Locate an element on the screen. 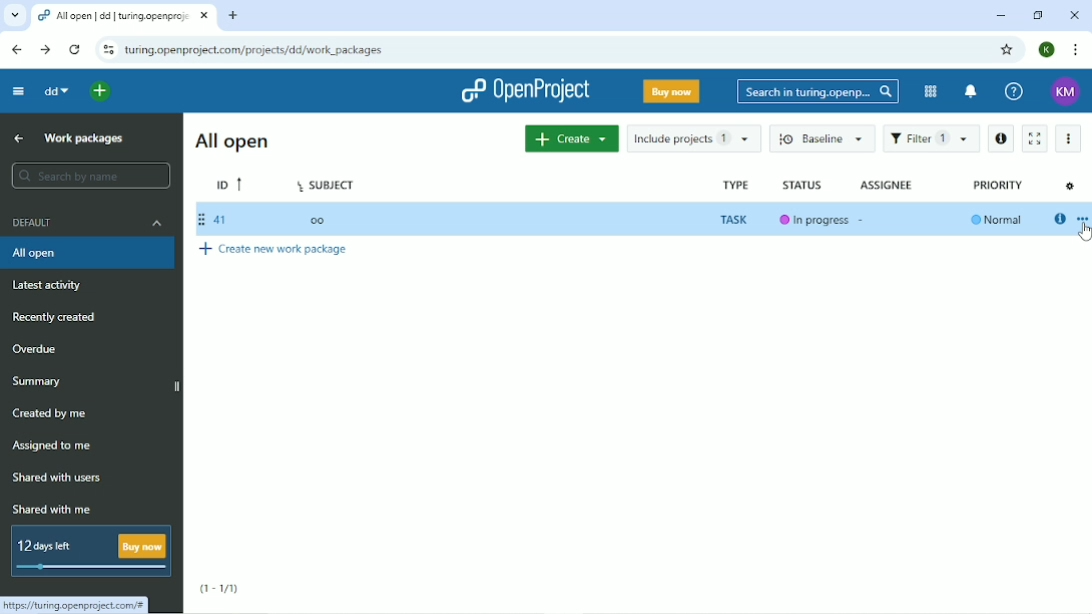 The width and height of the screenshot is (1092, 614). Default is located at coordinates (89, 223).